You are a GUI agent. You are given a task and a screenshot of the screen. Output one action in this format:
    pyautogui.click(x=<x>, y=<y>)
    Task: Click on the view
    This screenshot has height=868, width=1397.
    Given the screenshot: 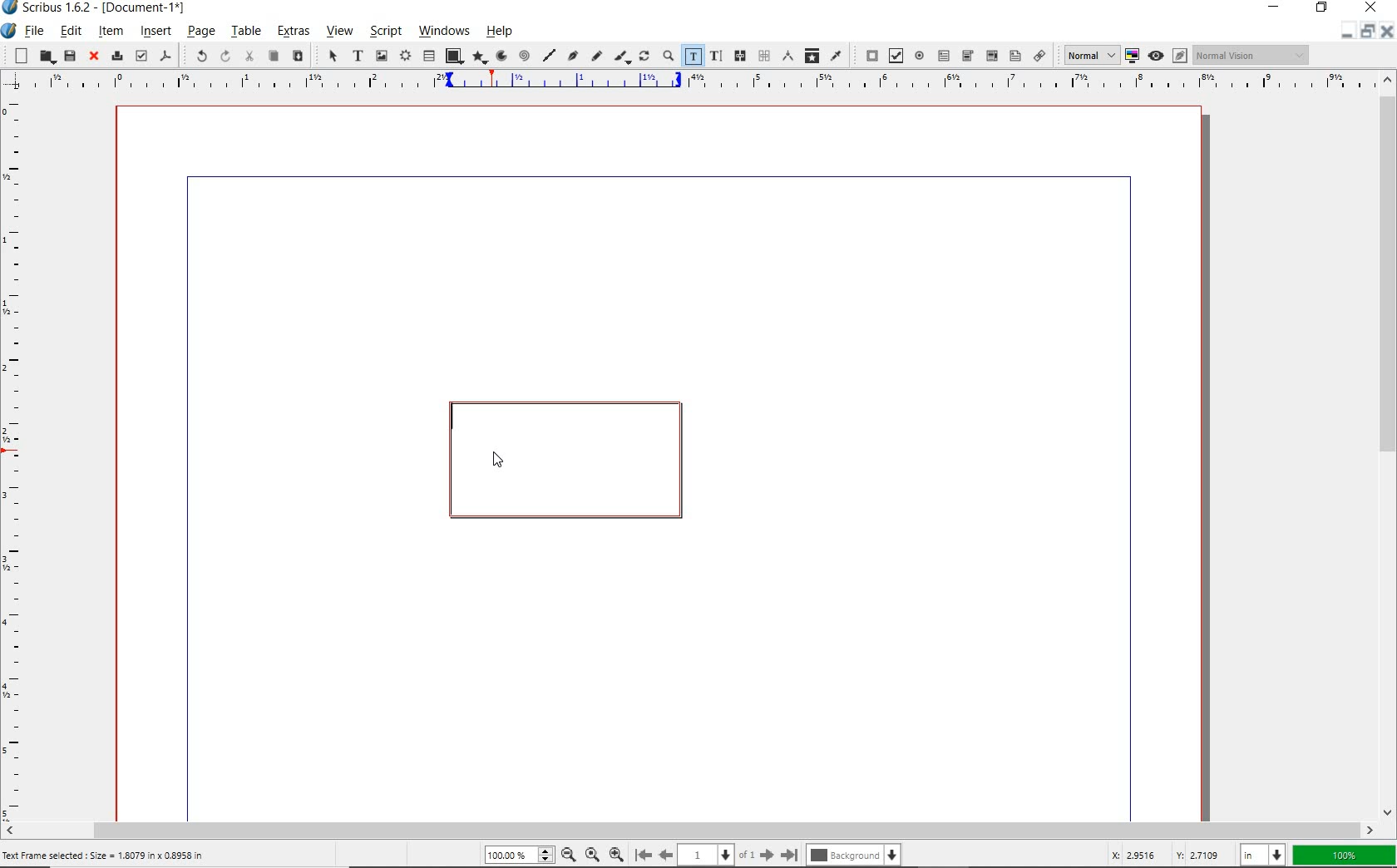 What is the action you would take?
    pyautogui.click(x=342, y=32)
    